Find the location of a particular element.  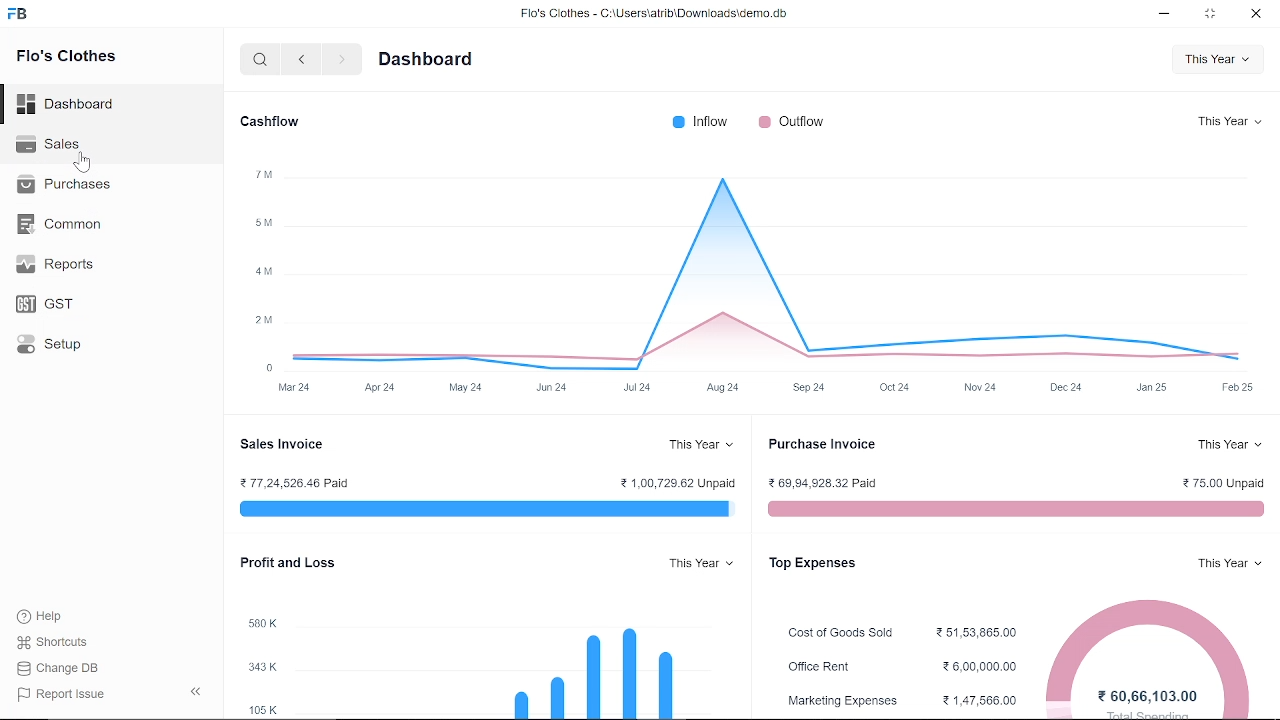

This Year is located at coordinates (1223, 445).